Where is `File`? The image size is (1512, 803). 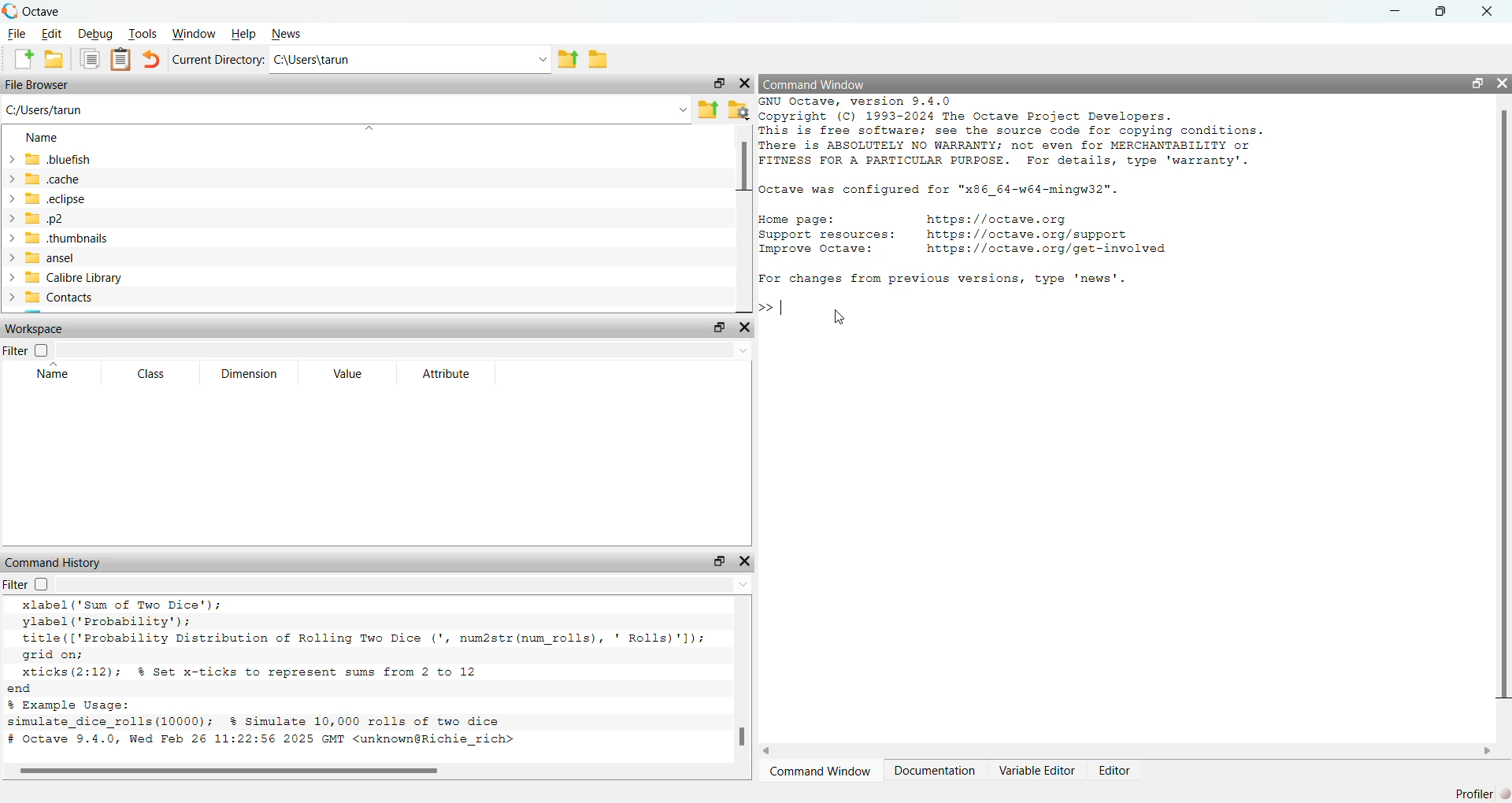
File is located at coordinates (14, 34).